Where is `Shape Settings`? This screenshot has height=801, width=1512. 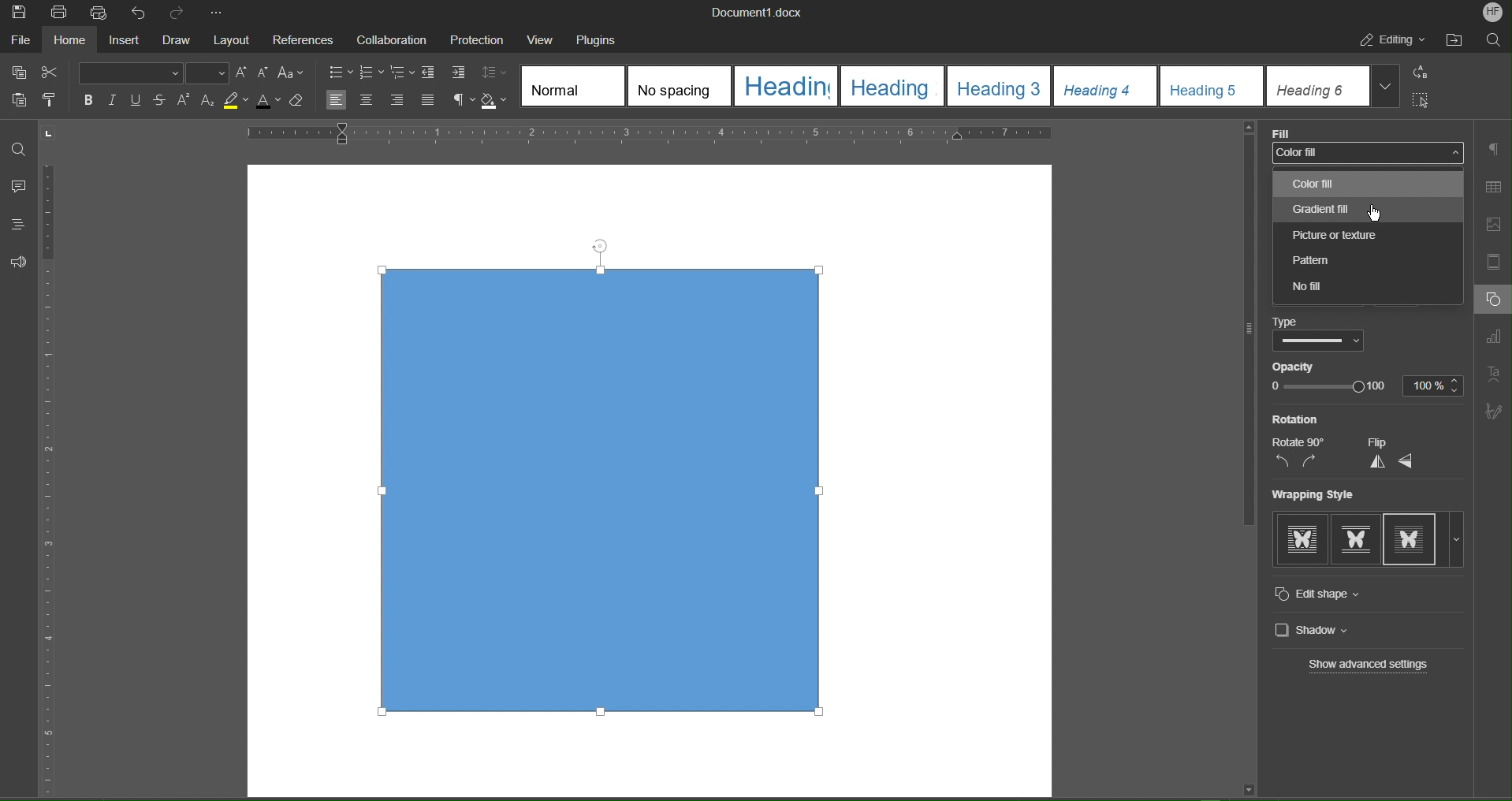 Shape Settings is located at coordinates (1492, 300).